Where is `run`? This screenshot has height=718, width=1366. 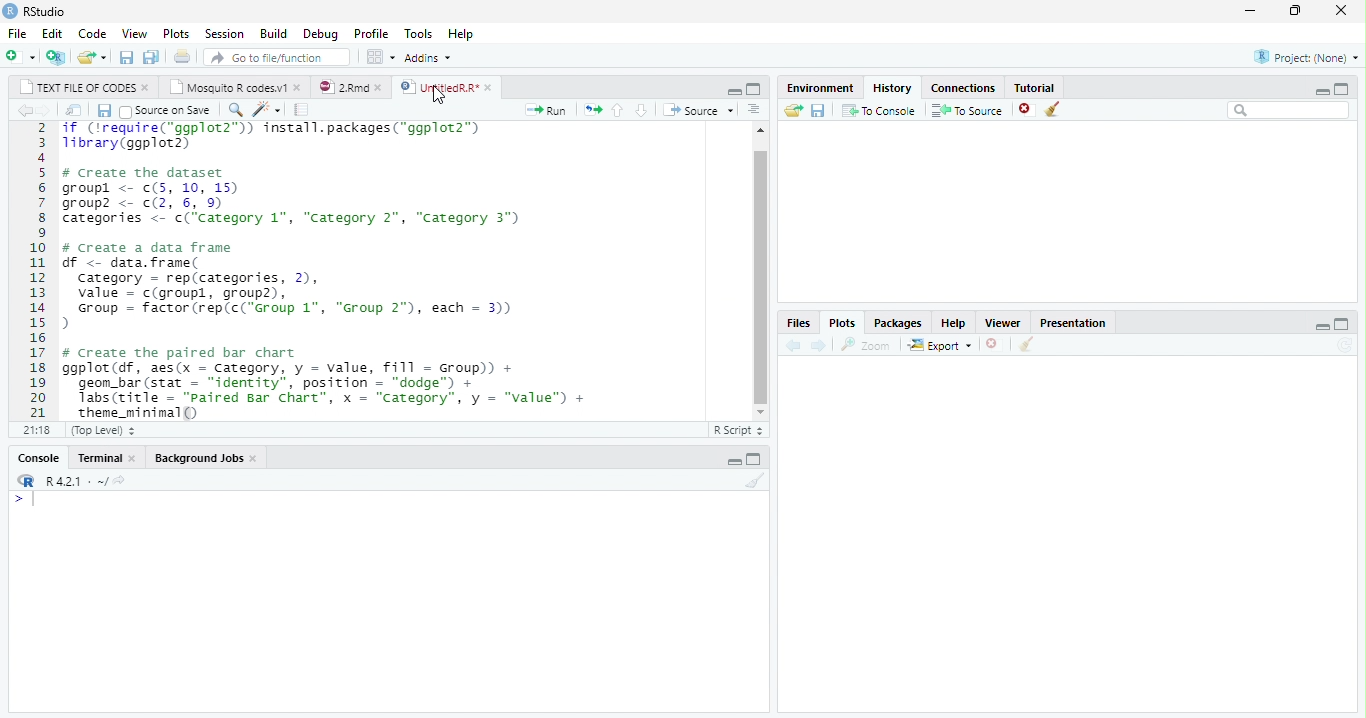 run is located at coordinates (549, 109).